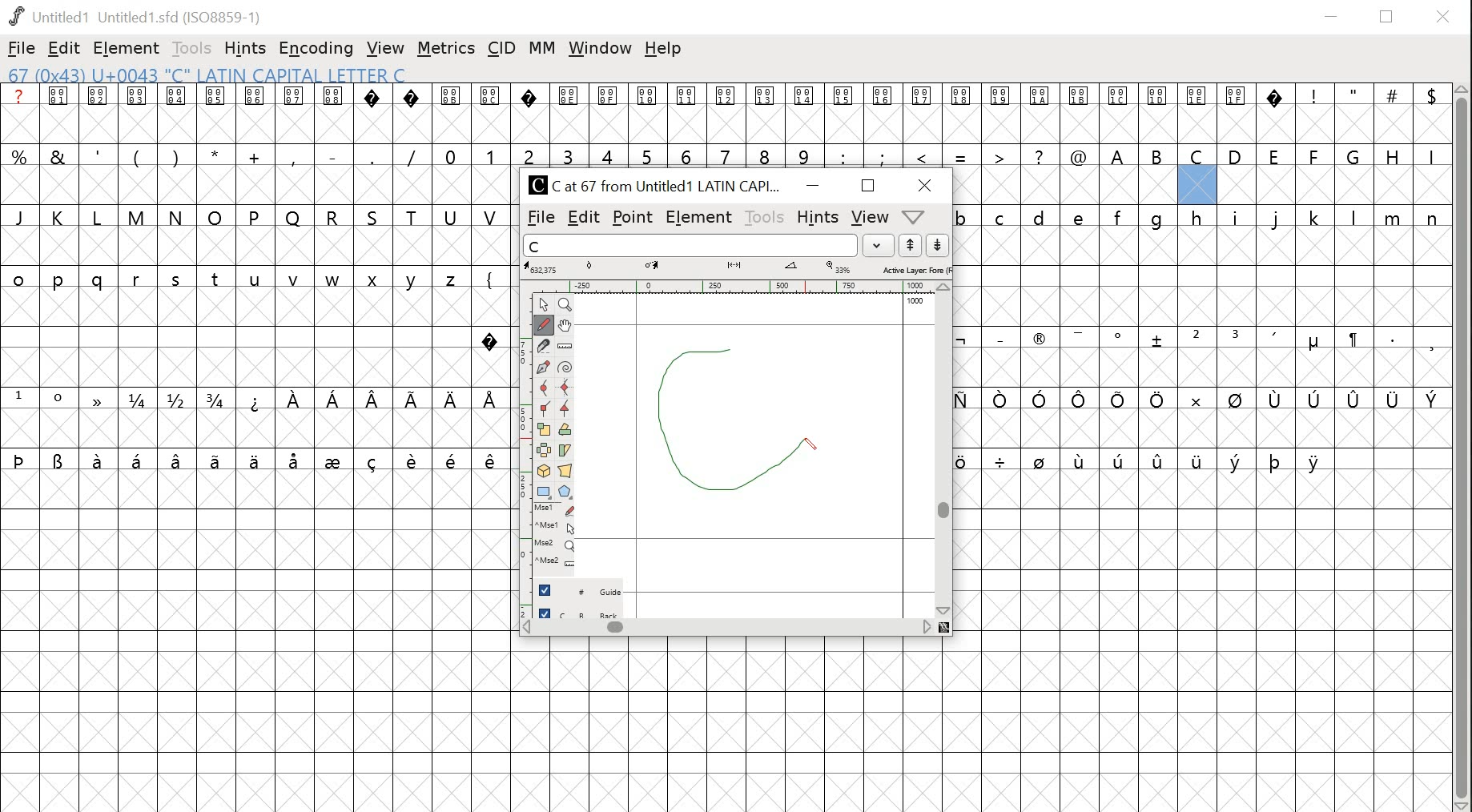 Image resolution: width=1472 pixels, height=812 pixels. What do you see at coordinates (911, 245) in the screenshot?
I see `up` at bounding box center [911, 245].